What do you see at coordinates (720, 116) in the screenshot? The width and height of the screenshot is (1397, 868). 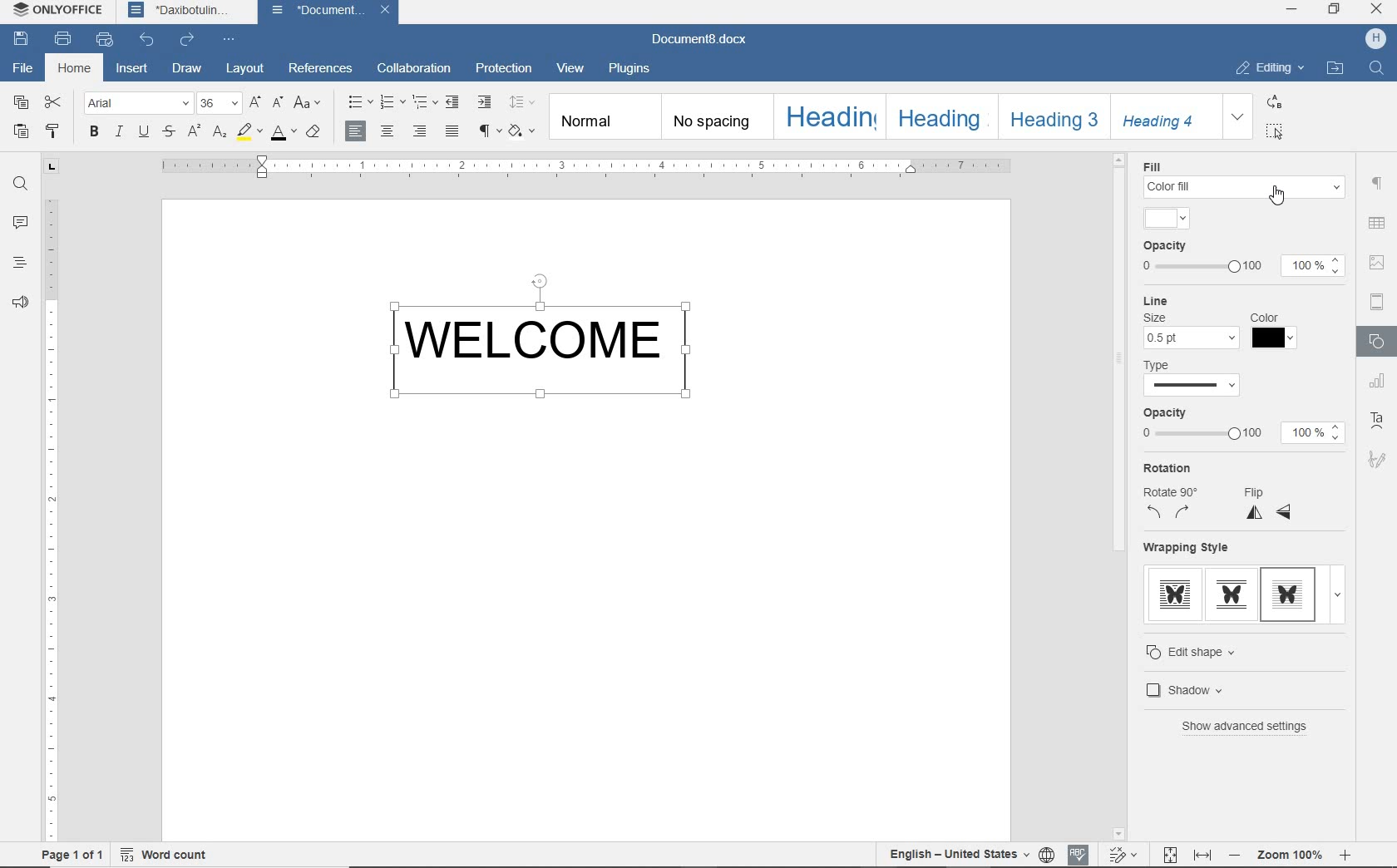 I see `NO SPACING` at bounding box center [720, 116].